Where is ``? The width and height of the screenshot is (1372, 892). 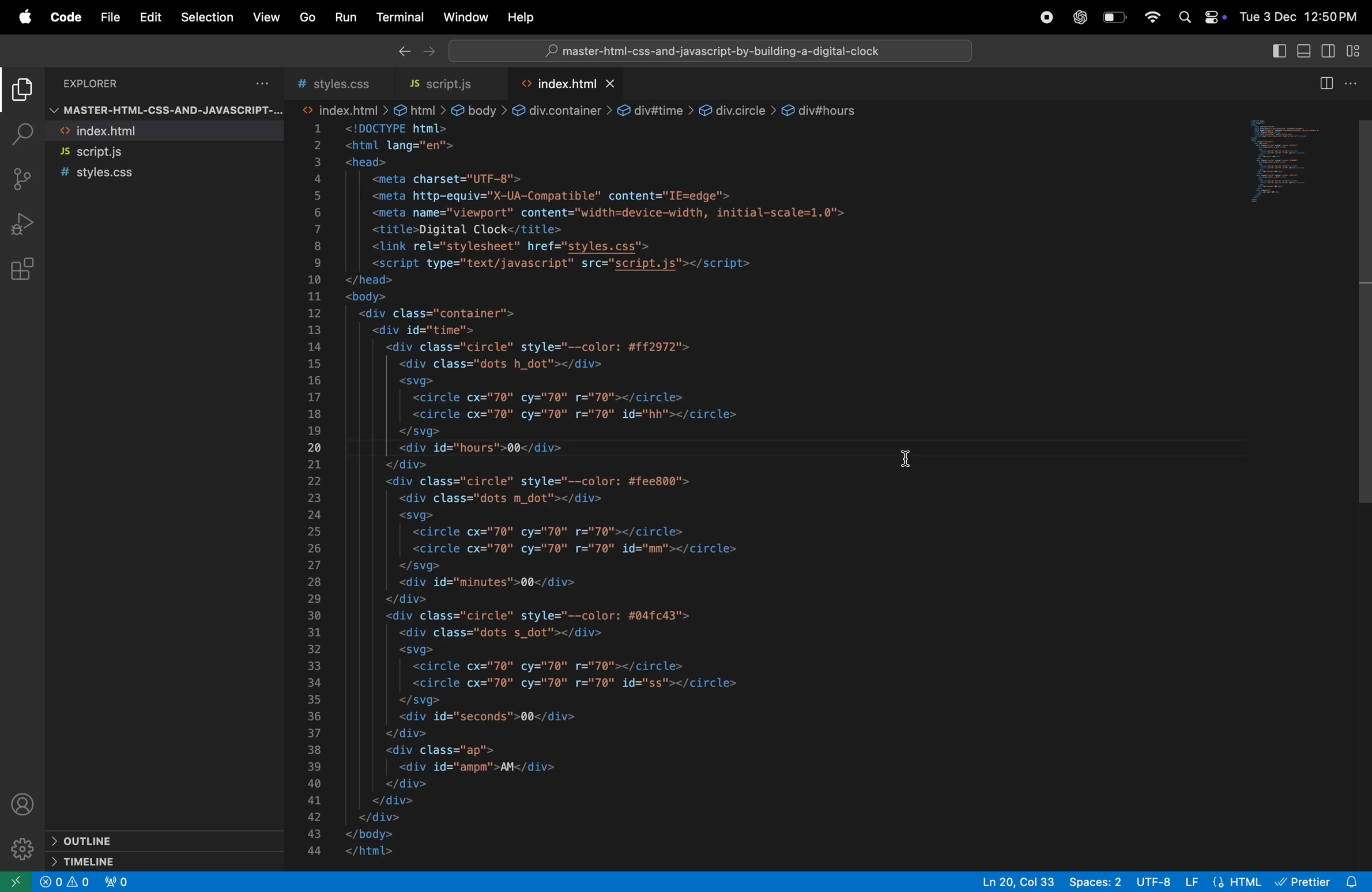
 is located at coordinates (1078, 884).